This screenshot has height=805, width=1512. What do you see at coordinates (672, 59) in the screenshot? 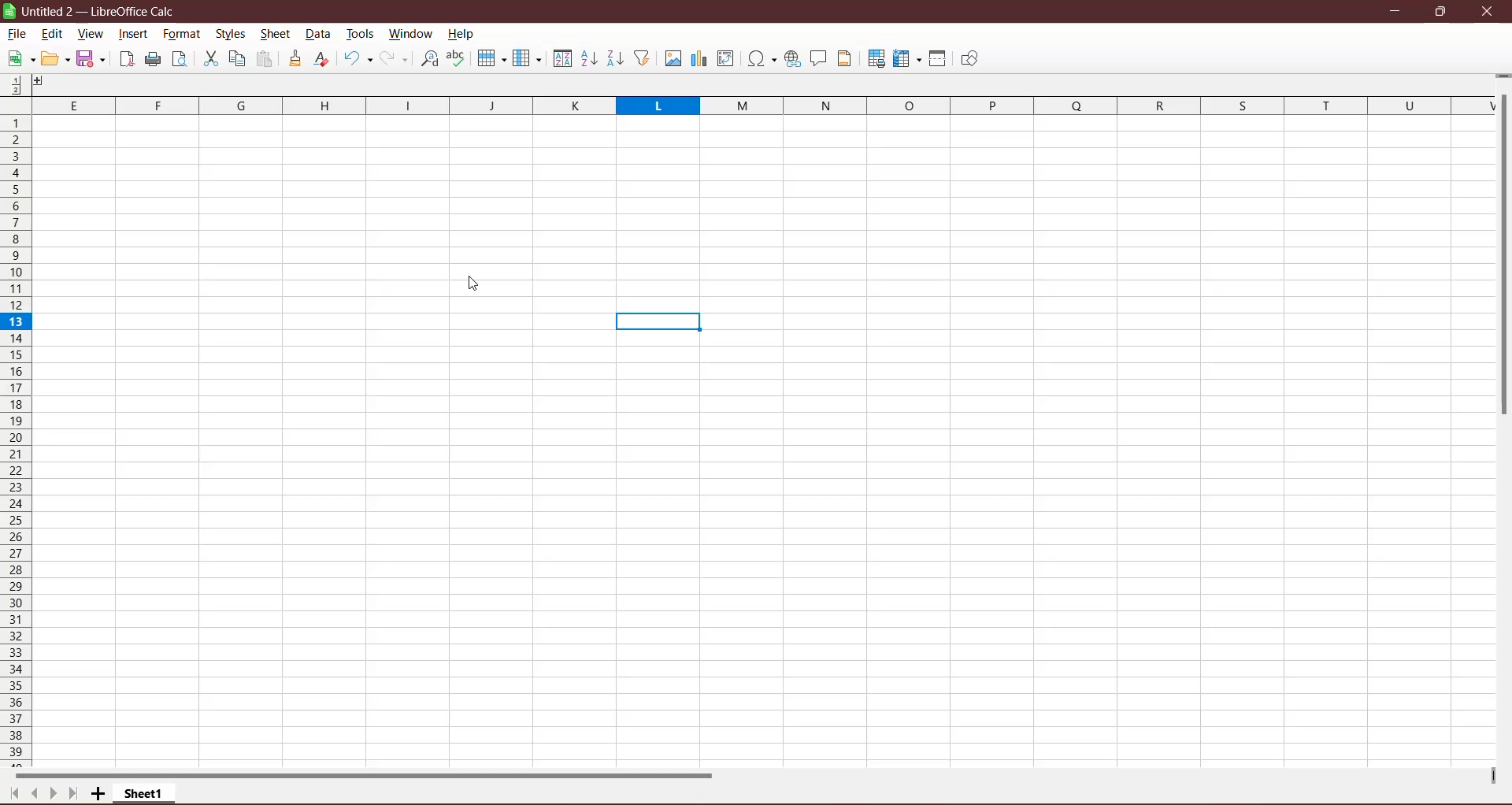
I see `Insert Image` at bounding box center [672, 59].